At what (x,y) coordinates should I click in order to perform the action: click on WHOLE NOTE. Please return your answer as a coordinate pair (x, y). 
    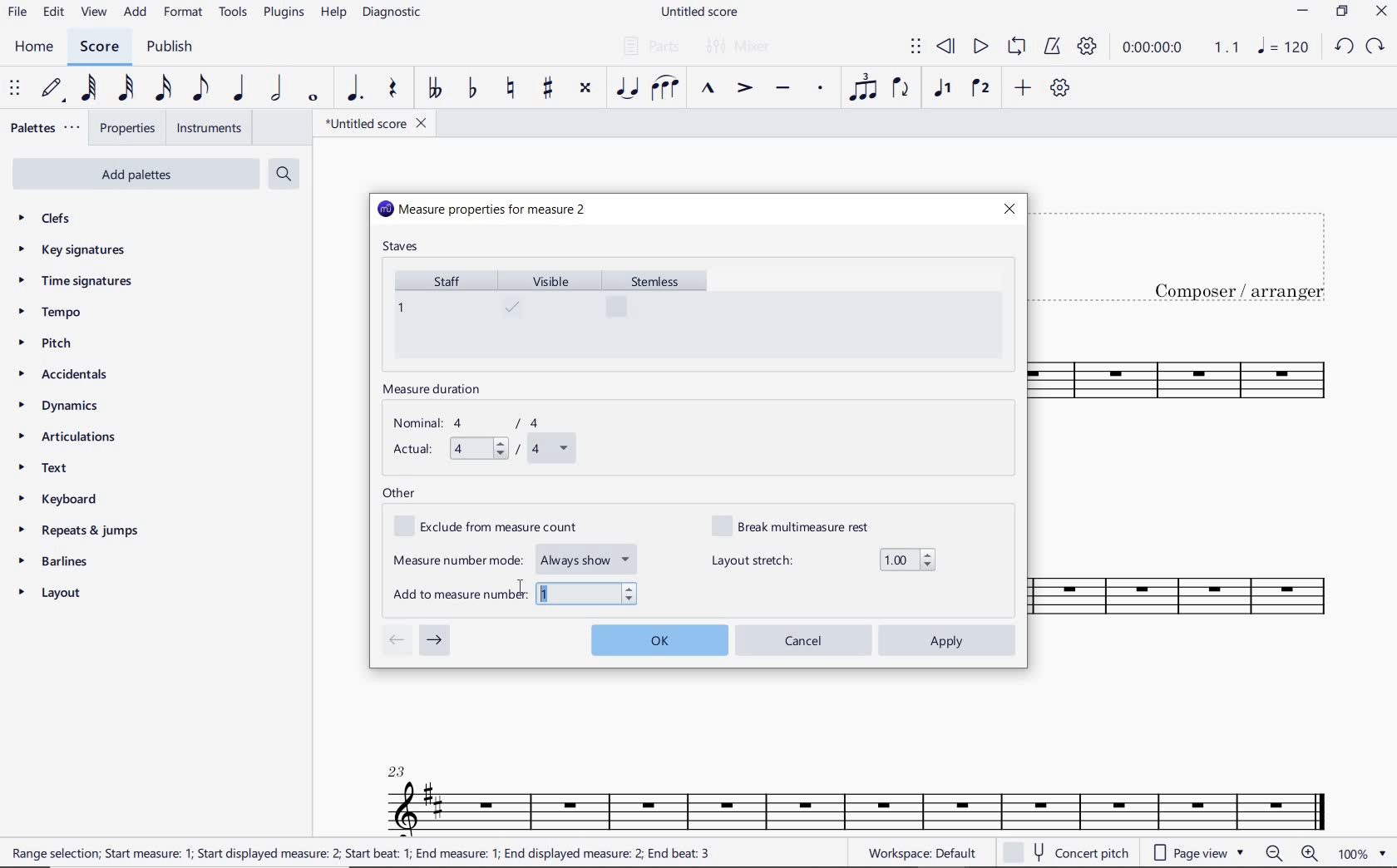
    Looking at the image, I should click on (311, 97).